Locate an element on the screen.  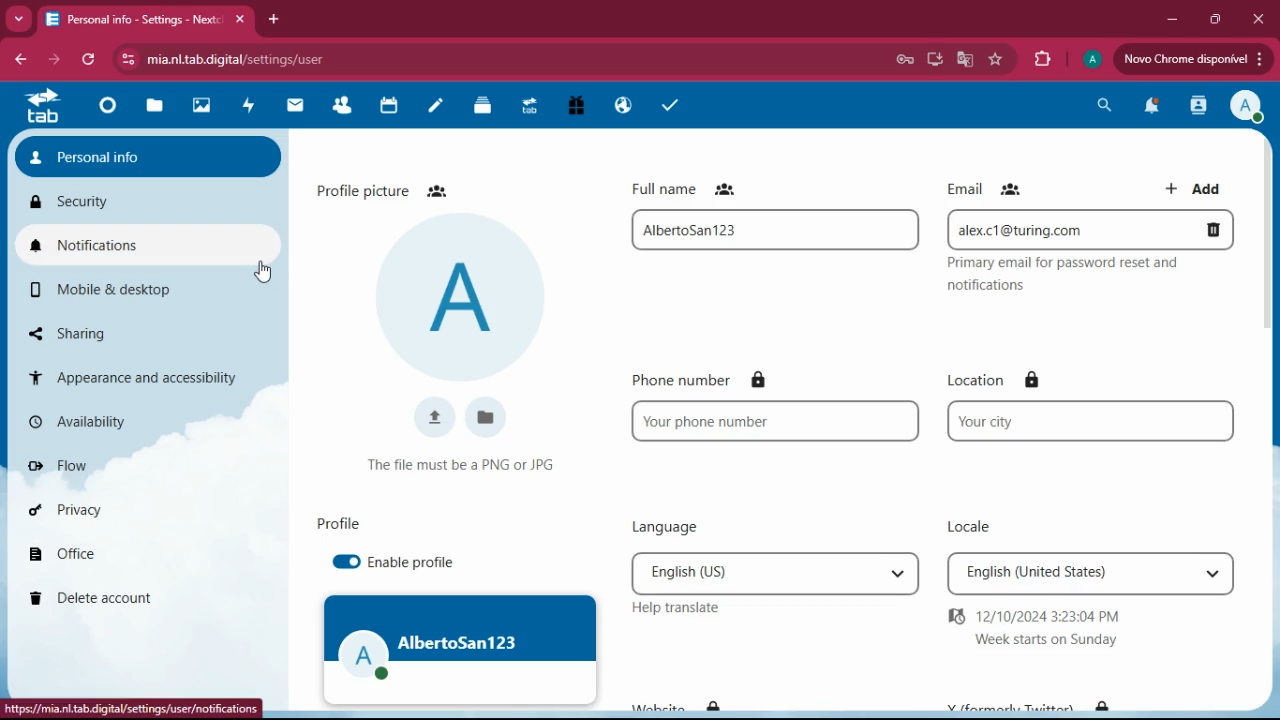
gift is located at coordinates (577, 106).